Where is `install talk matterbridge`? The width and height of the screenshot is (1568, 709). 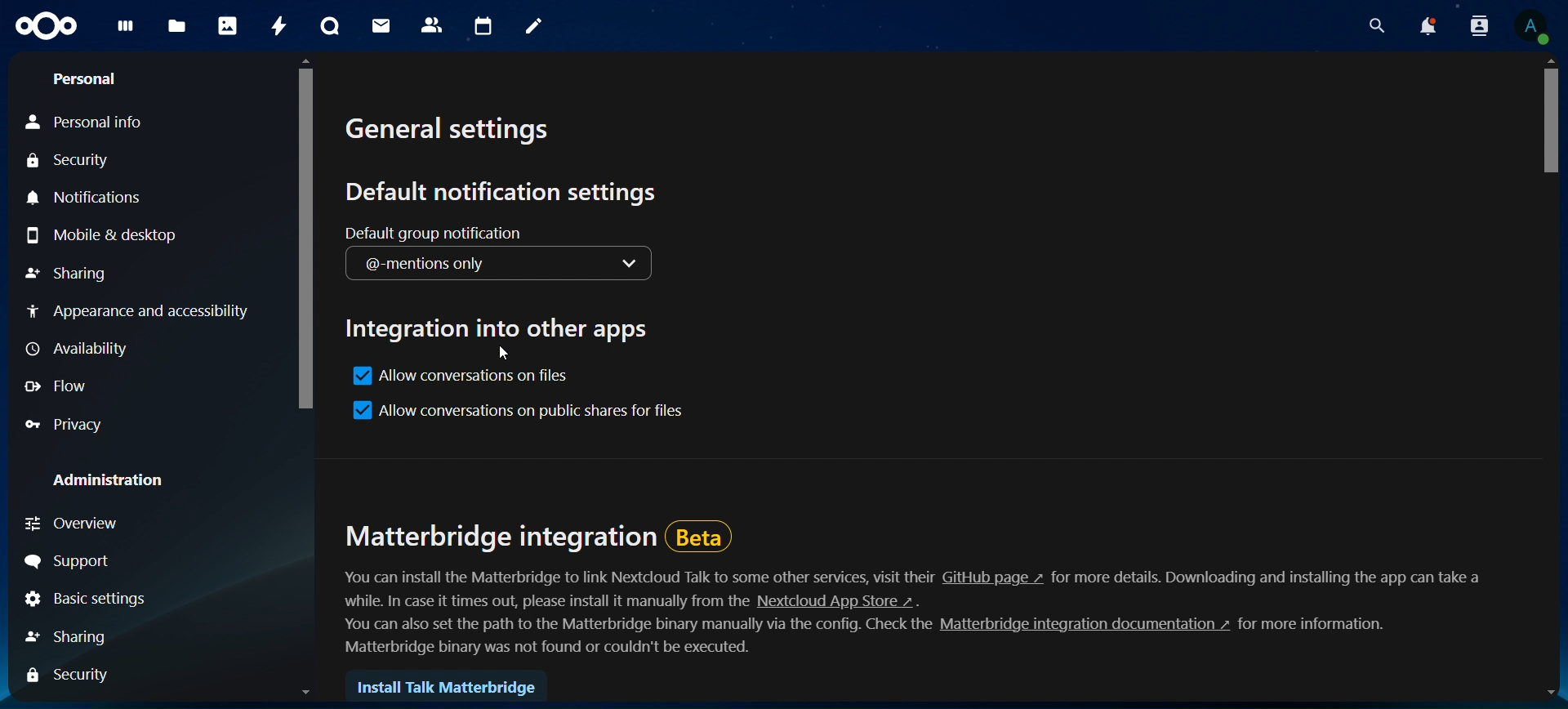
install talk matterbridge is located at coordinates (450, 686).